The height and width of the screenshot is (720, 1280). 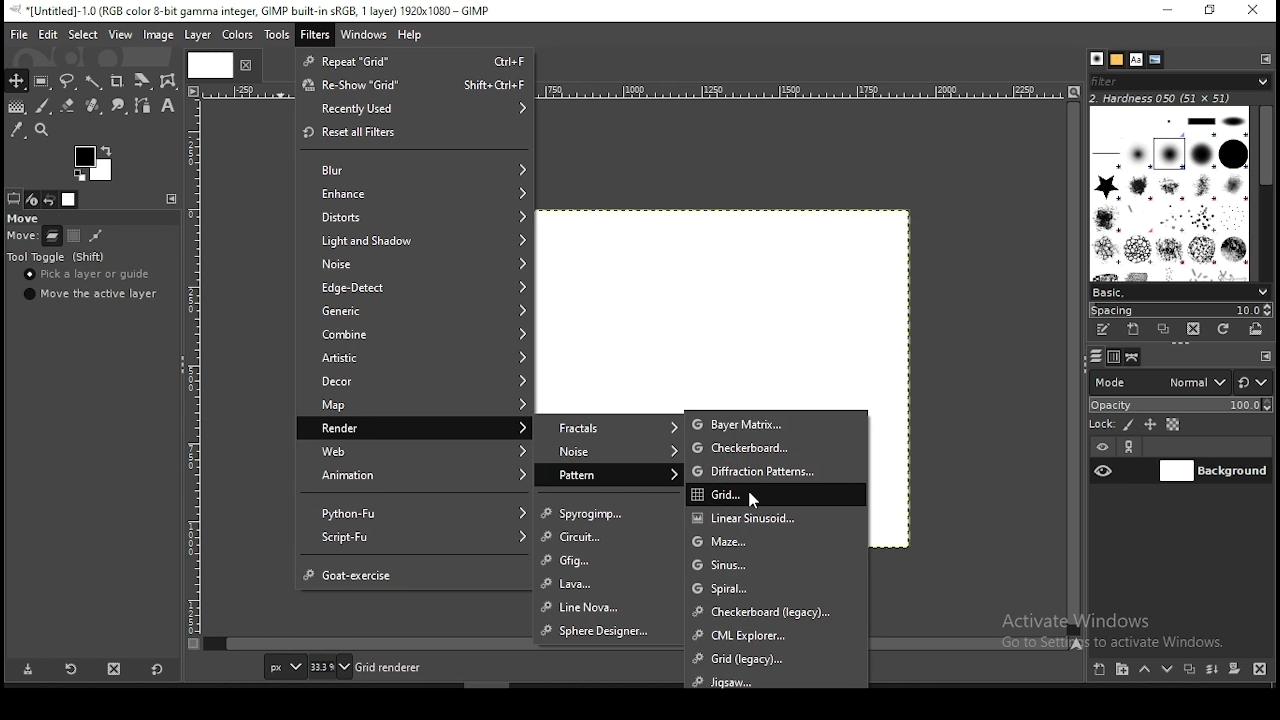 I want to click on scroll bar, so click(x=1266, y=193).